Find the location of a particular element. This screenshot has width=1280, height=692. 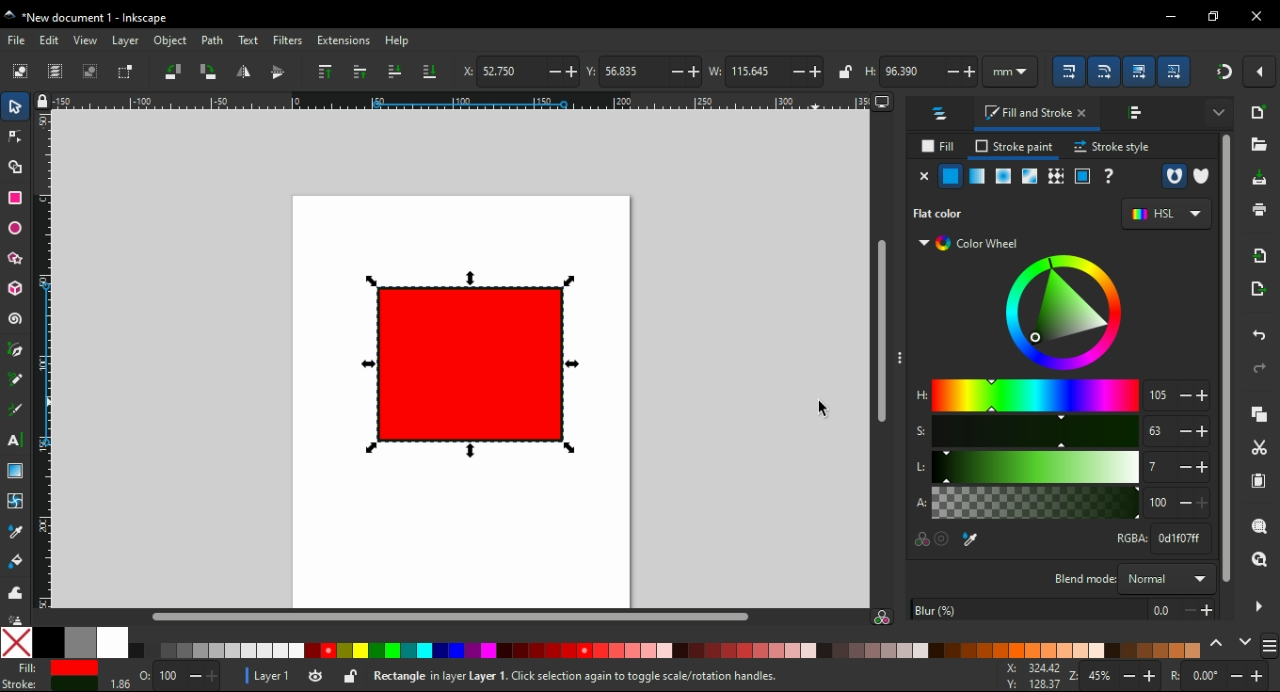

path is located at coordinates (212, 40).